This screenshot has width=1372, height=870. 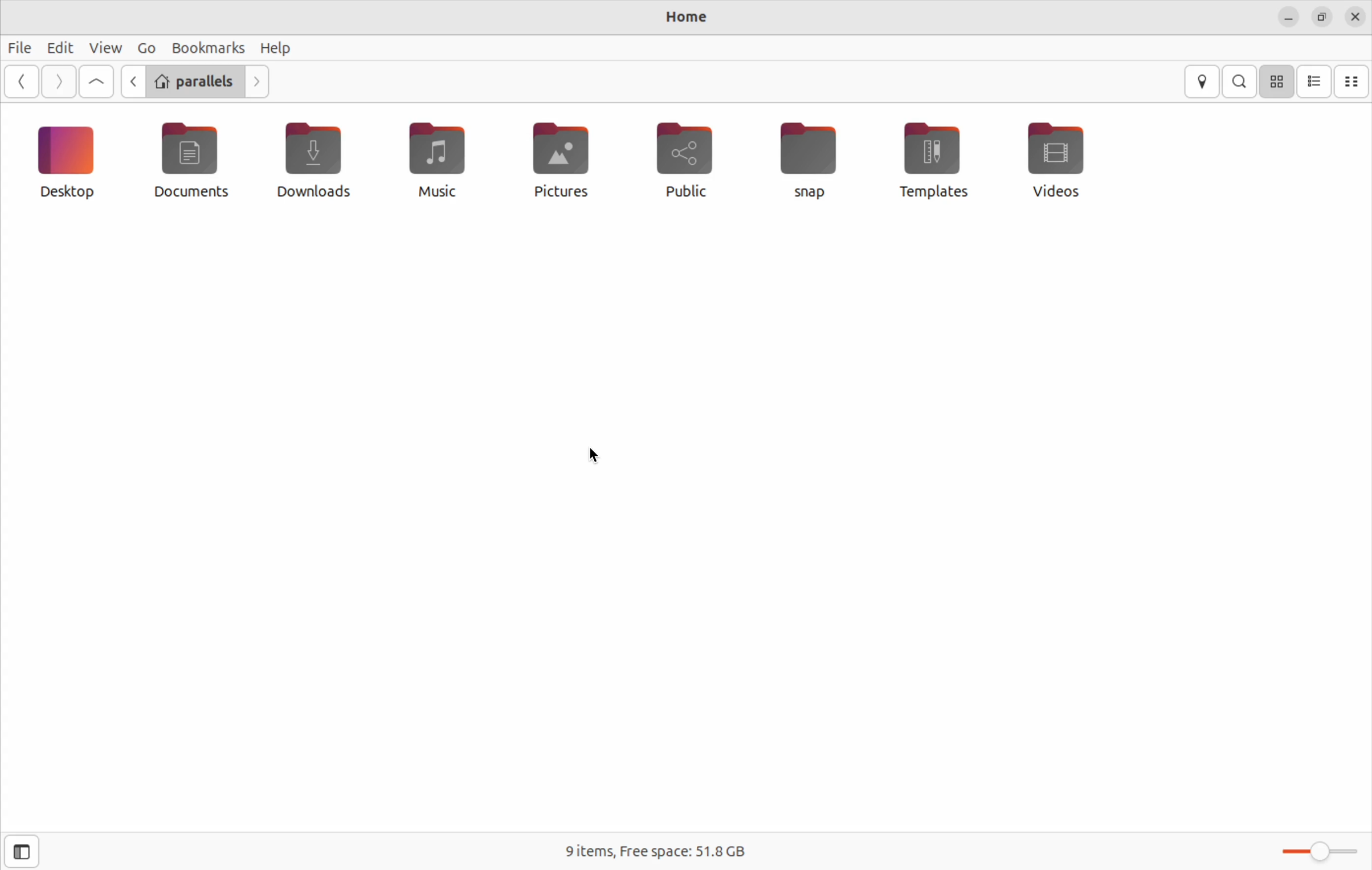 I want to click on public , so click(x=680, y=159).